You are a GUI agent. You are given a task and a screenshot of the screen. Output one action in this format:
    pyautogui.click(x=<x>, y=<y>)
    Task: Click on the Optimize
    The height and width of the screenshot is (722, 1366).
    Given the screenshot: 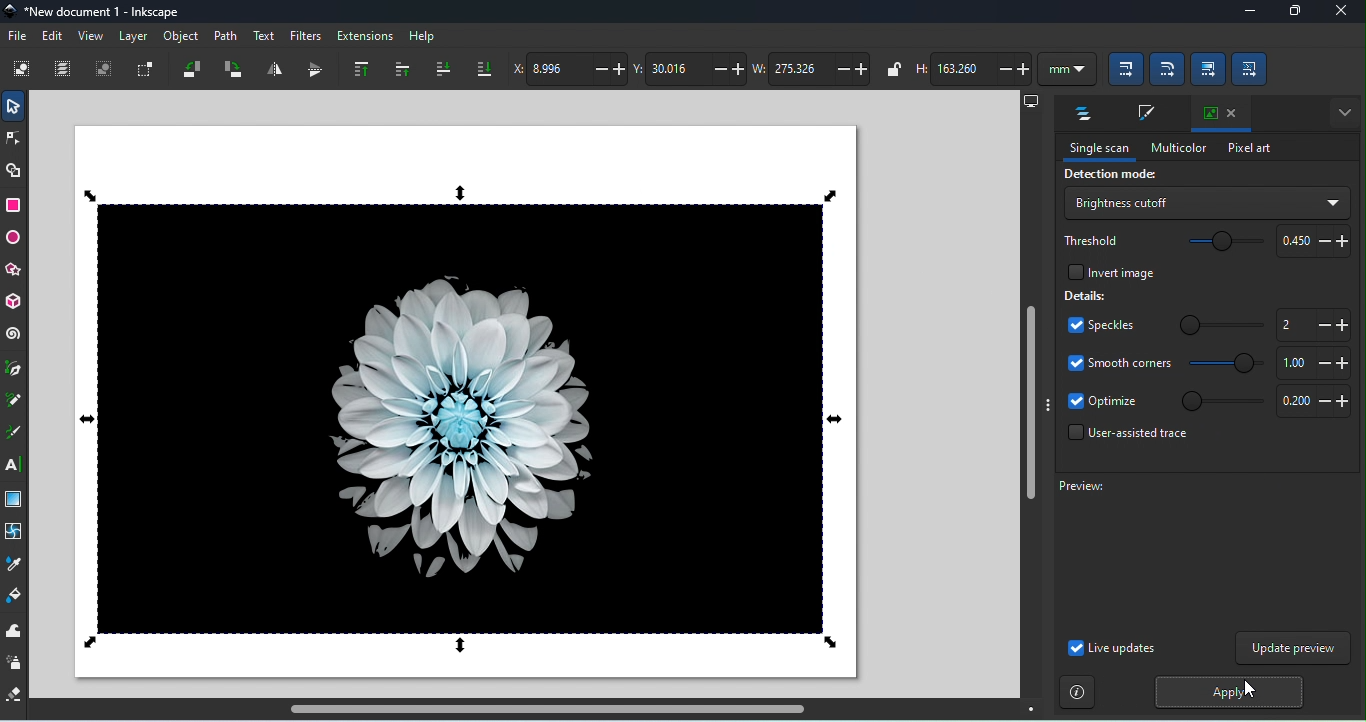 What is the action you would take?
    pyautogui.click(x=1314, y=402)
    